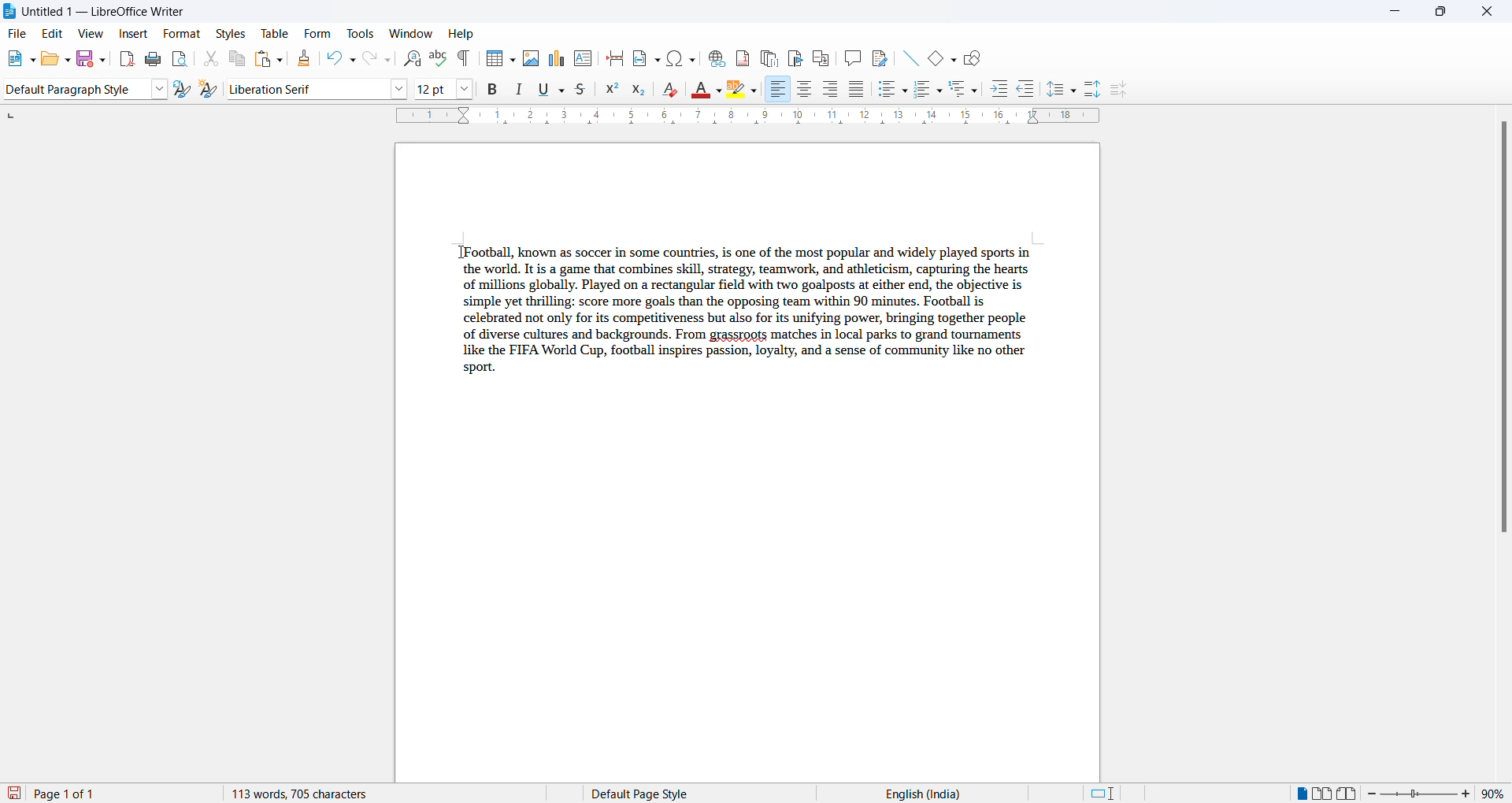  What do you see at coordinates (941, 91) in the screenshot?
I see `toggle ordered list ` at bounding box center [941, 91].